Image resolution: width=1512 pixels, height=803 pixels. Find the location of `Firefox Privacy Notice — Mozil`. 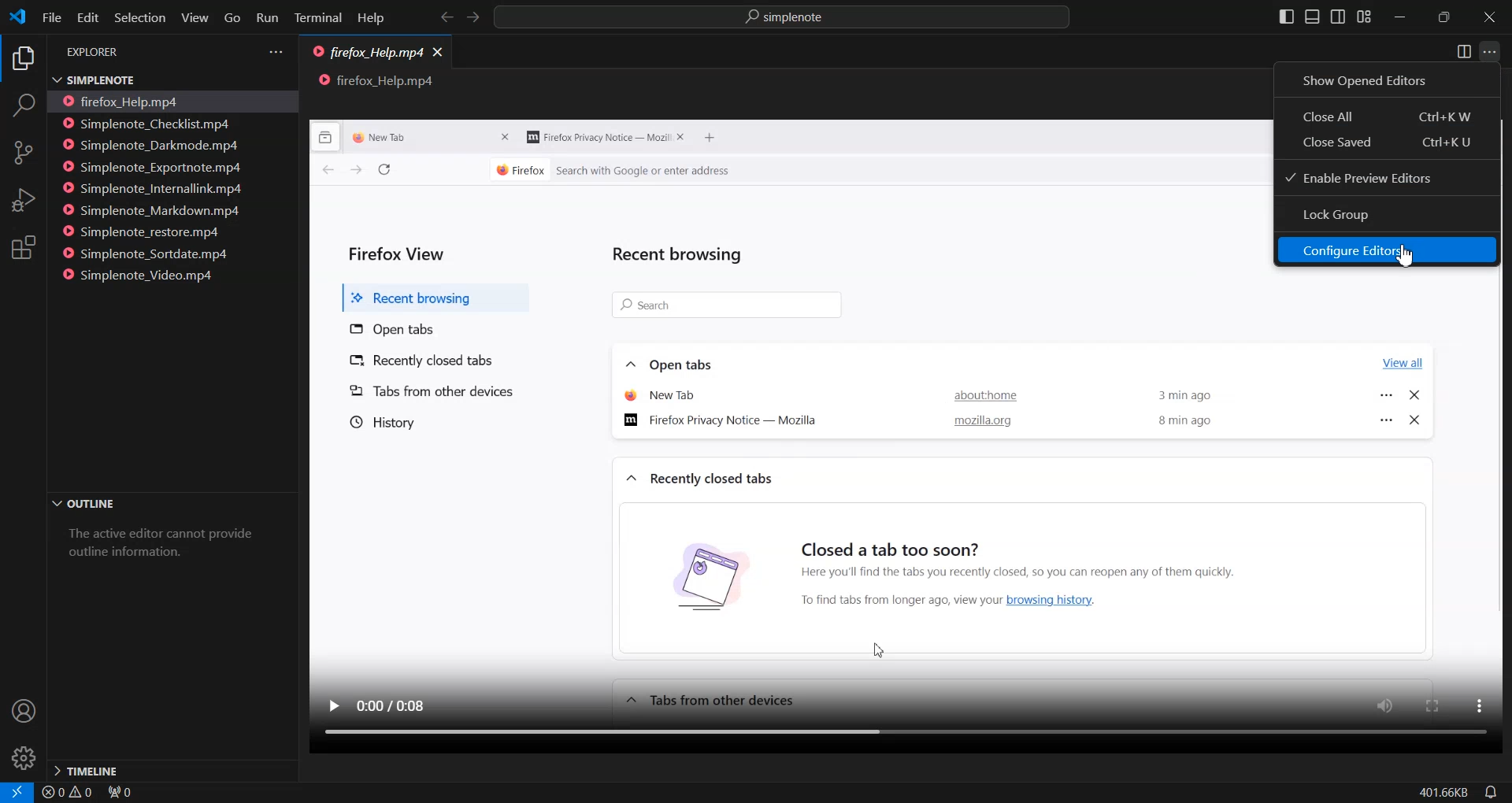

Firefox Privacy Notice — Mozil is located at coordinates (596, 138).